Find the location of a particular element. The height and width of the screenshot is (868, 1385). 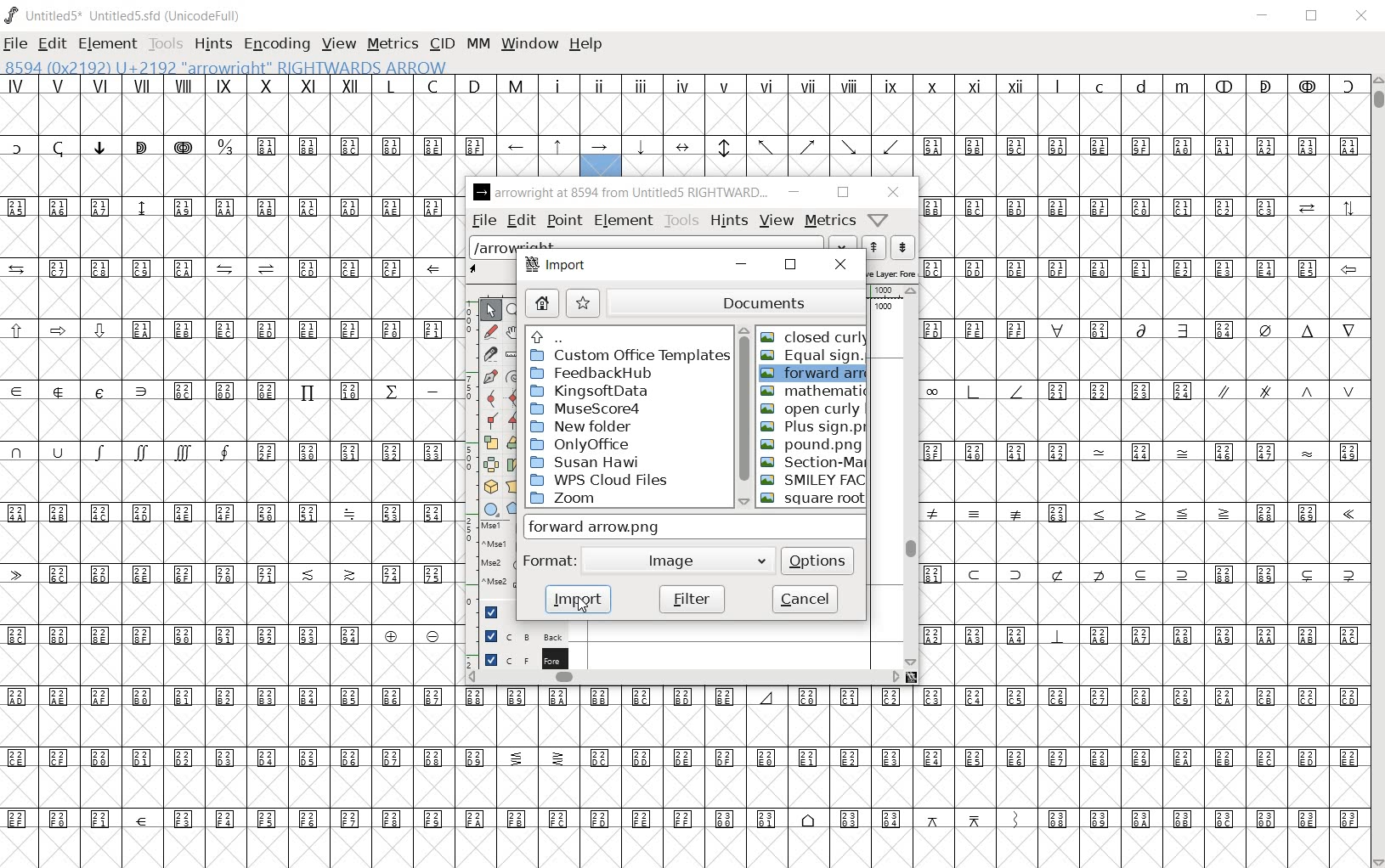

glyph characters is located at coordinates (1144, 470).